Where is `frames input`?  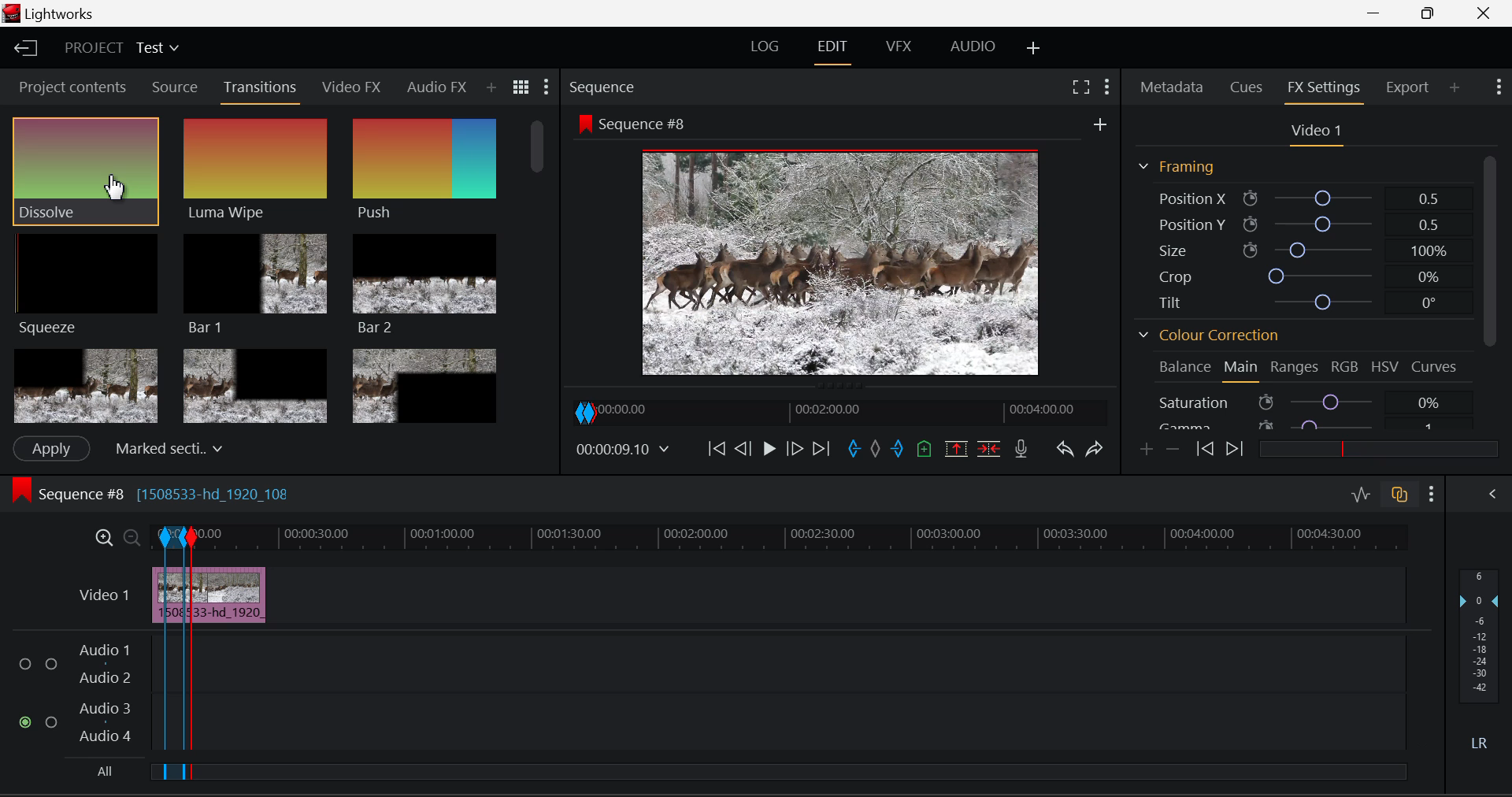 frames input is located at coordinates (318, 447).